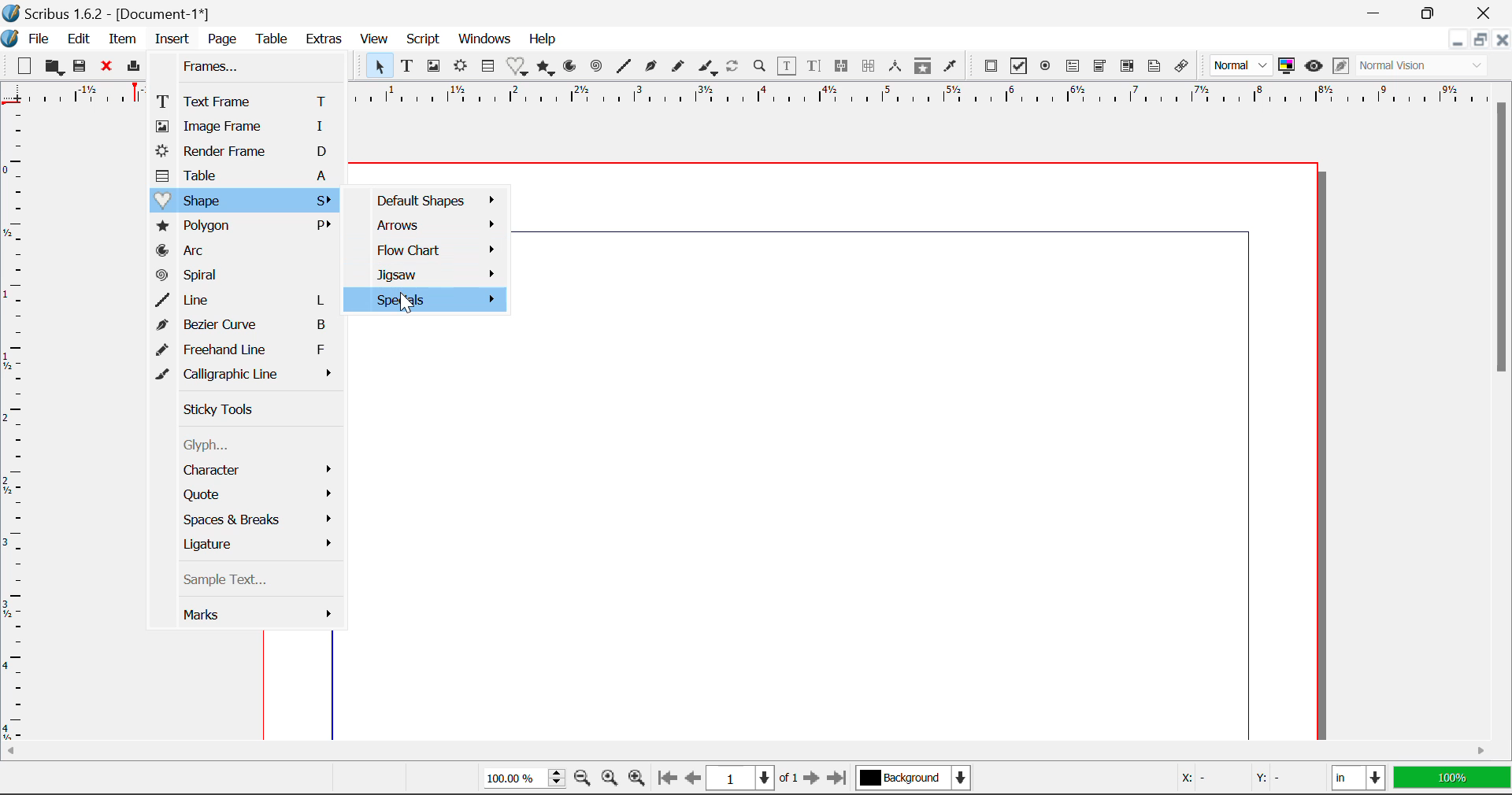 This screenshot has height=795, width=1512. What do you see at coordinates (1424, 67) in the screenshot?
I see `Normal Vision` at bounding box center [1424, 67].